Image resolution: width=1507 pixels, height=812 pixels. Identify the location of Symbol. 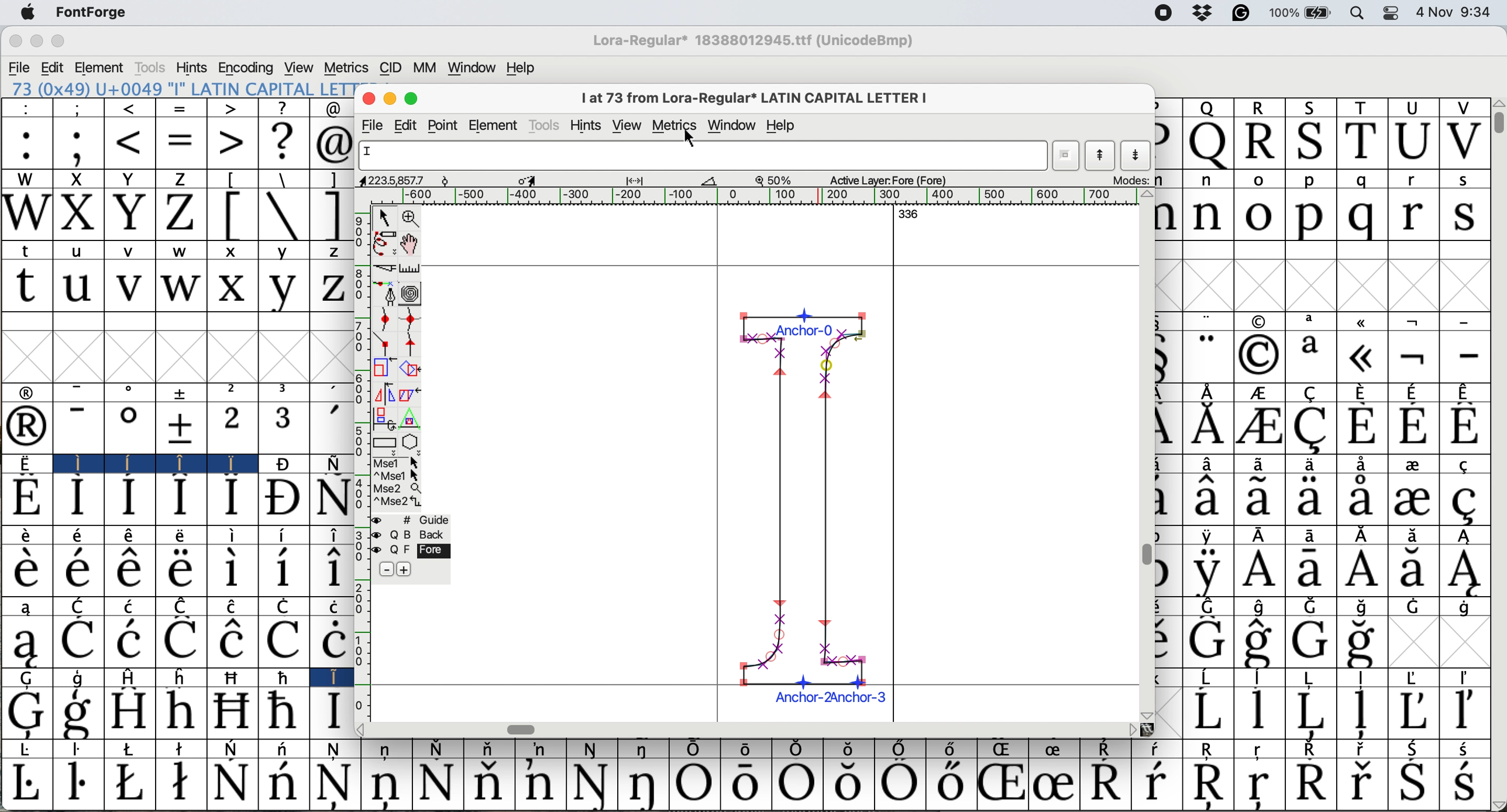
(233, 749).